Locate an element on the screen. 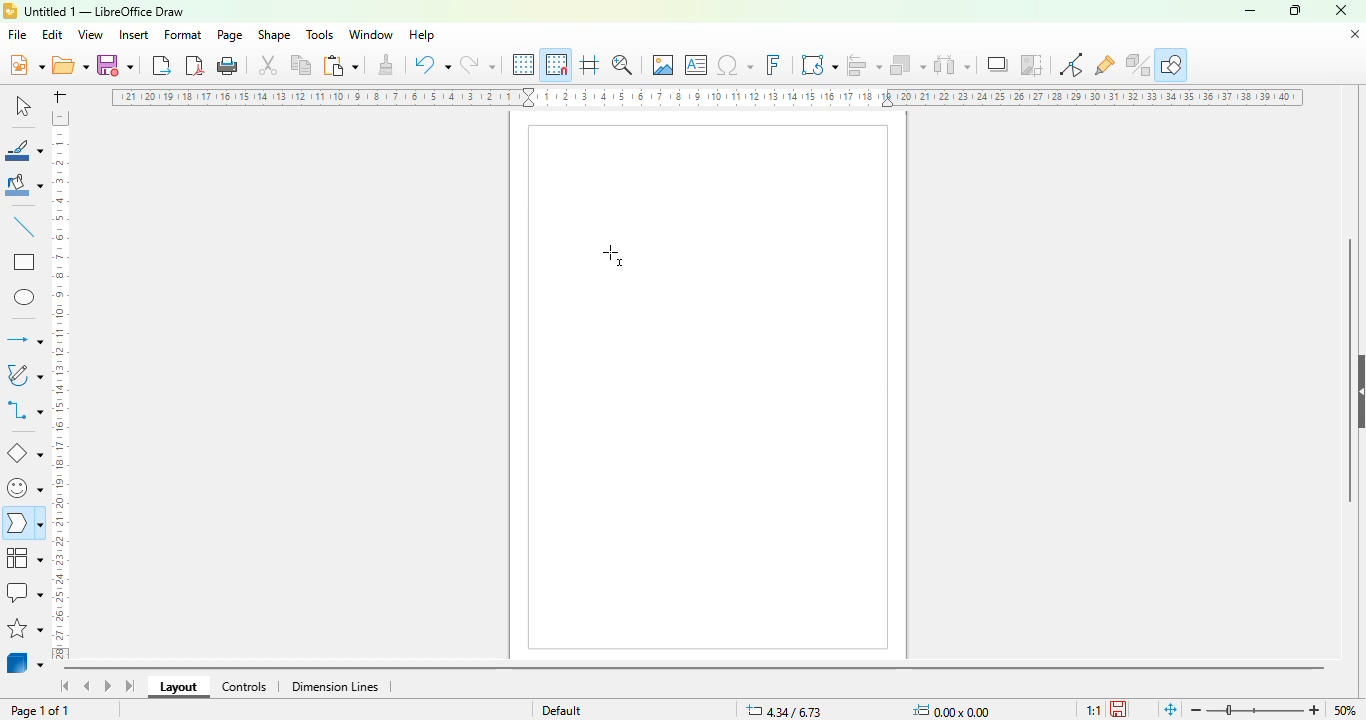  fit page to current window is located at coordinates (1171, 710).